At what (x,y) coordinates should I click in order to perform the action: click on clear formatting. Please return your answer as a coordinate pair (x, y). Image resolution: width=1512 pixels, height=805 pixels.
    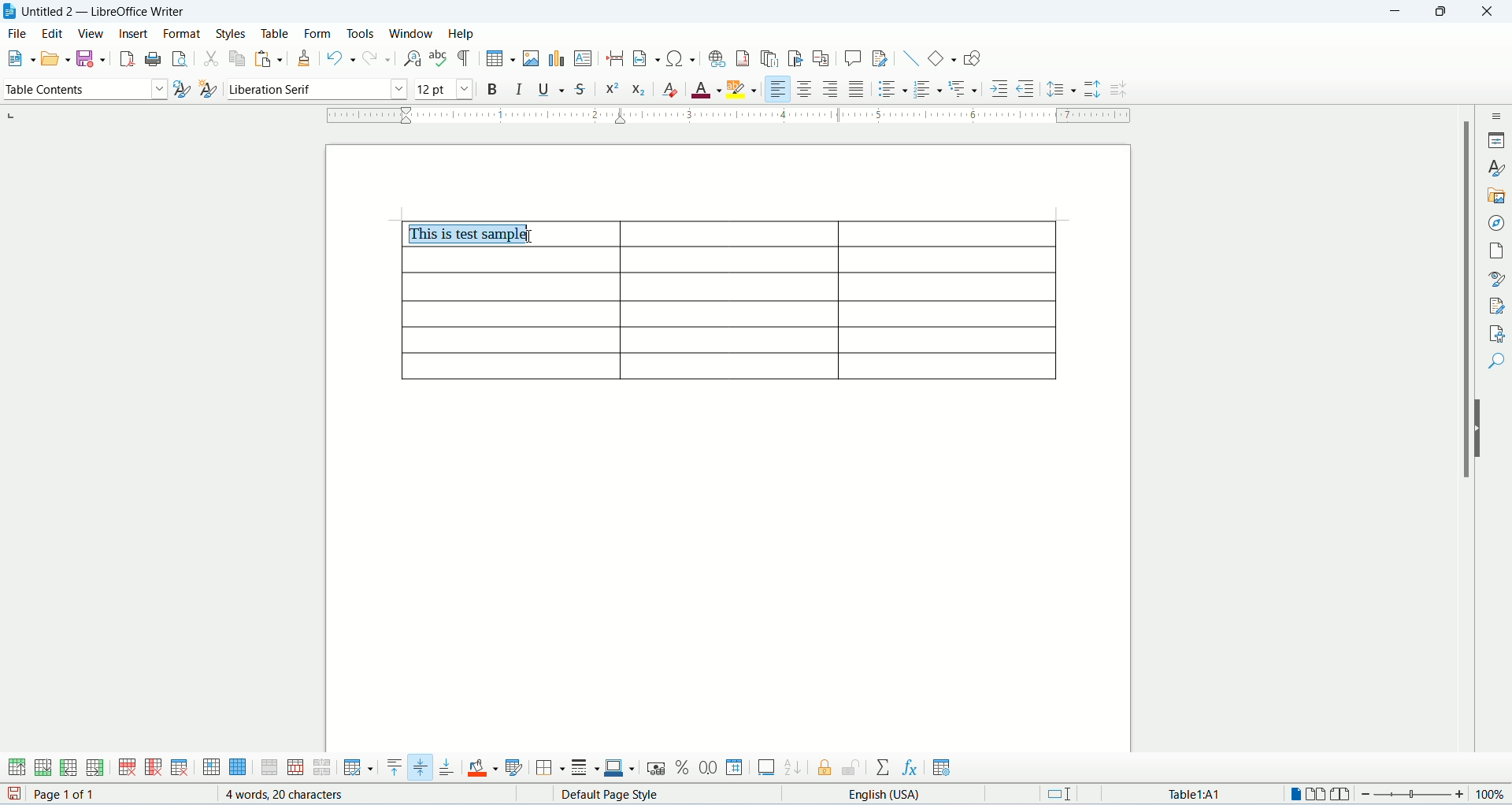
    Looking at the image, I should click on (670, 89).